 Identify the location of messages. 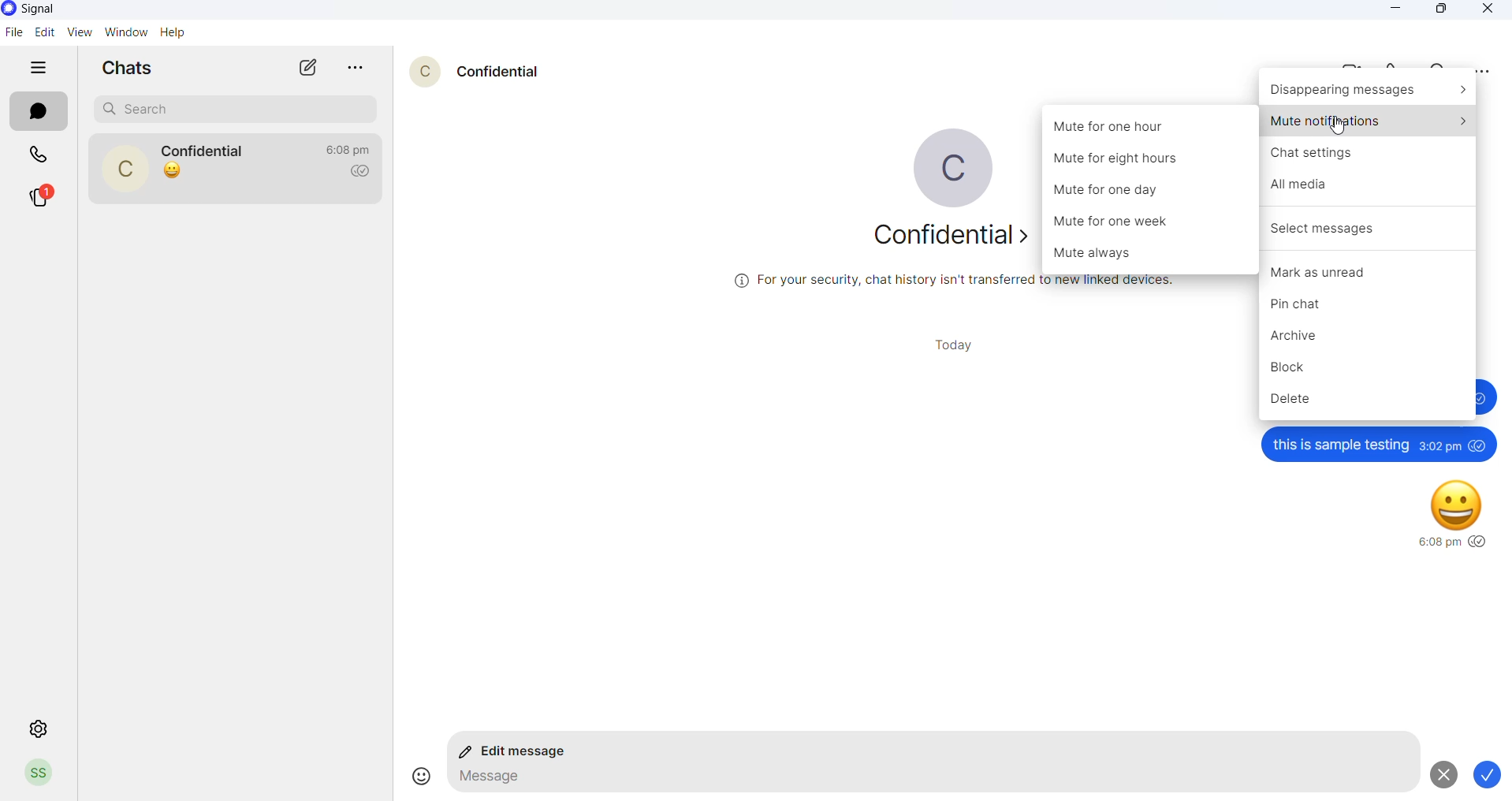
(40, 114).